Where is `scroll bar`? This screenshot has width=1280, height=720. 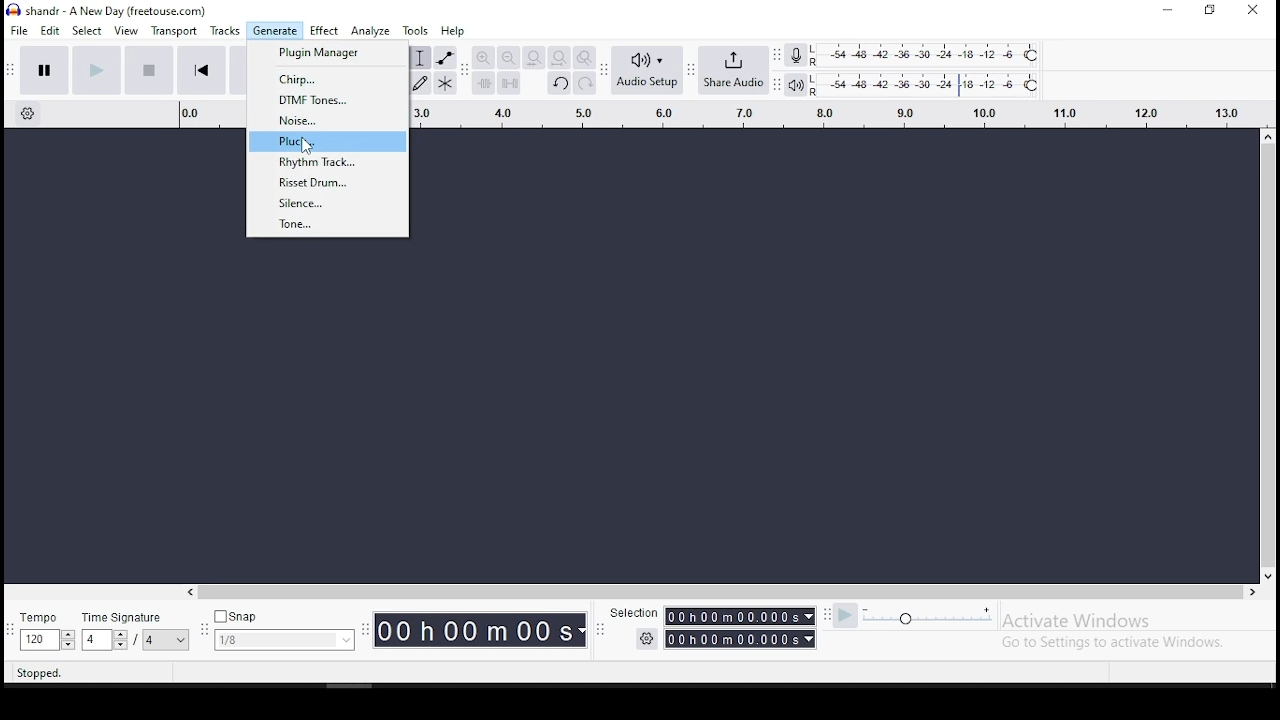
scroll bar is located at coordinates (724, 593).